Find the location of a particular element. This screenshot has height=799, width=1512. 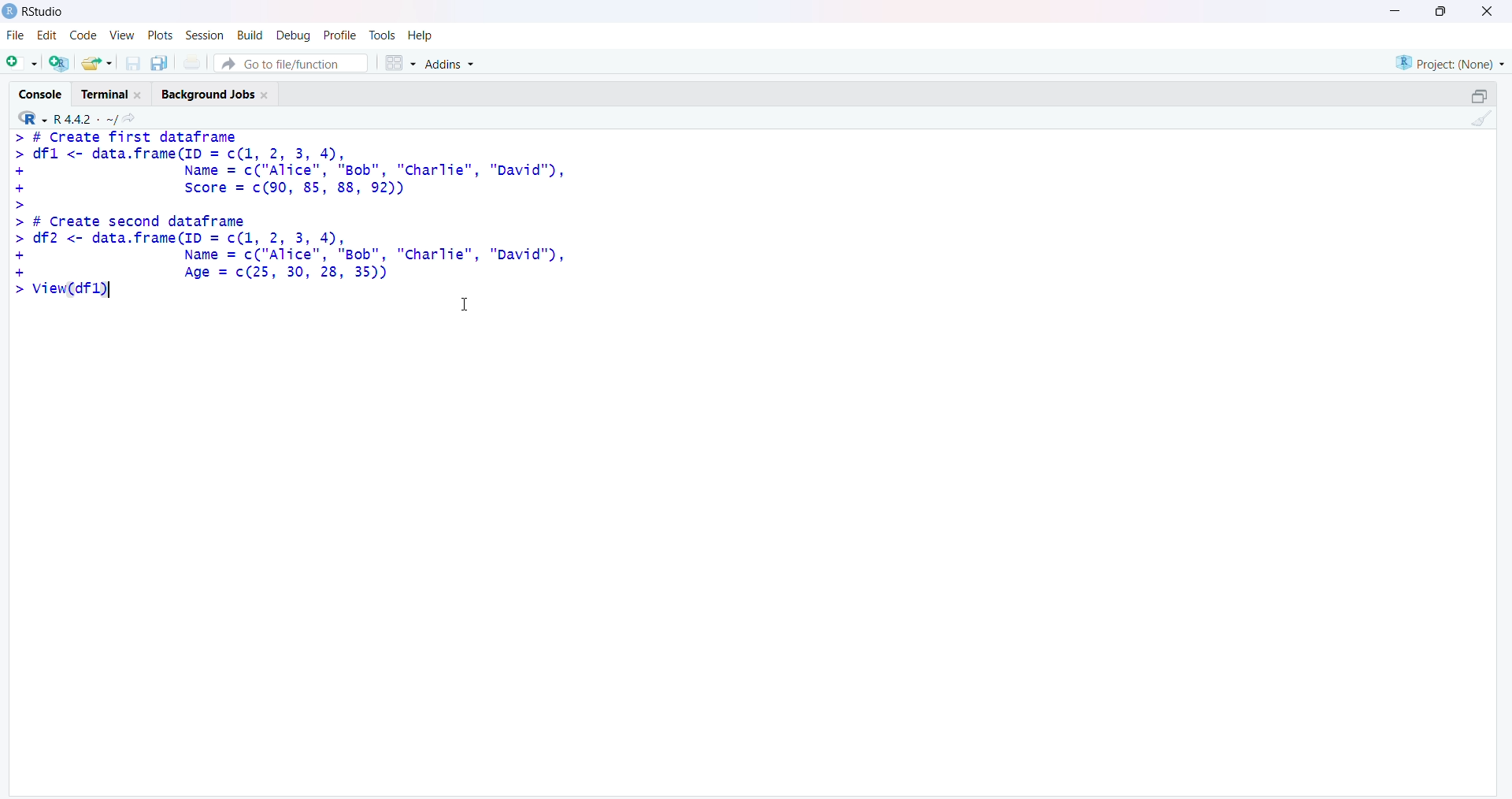

share folder as is located at coordinates (98, 63).